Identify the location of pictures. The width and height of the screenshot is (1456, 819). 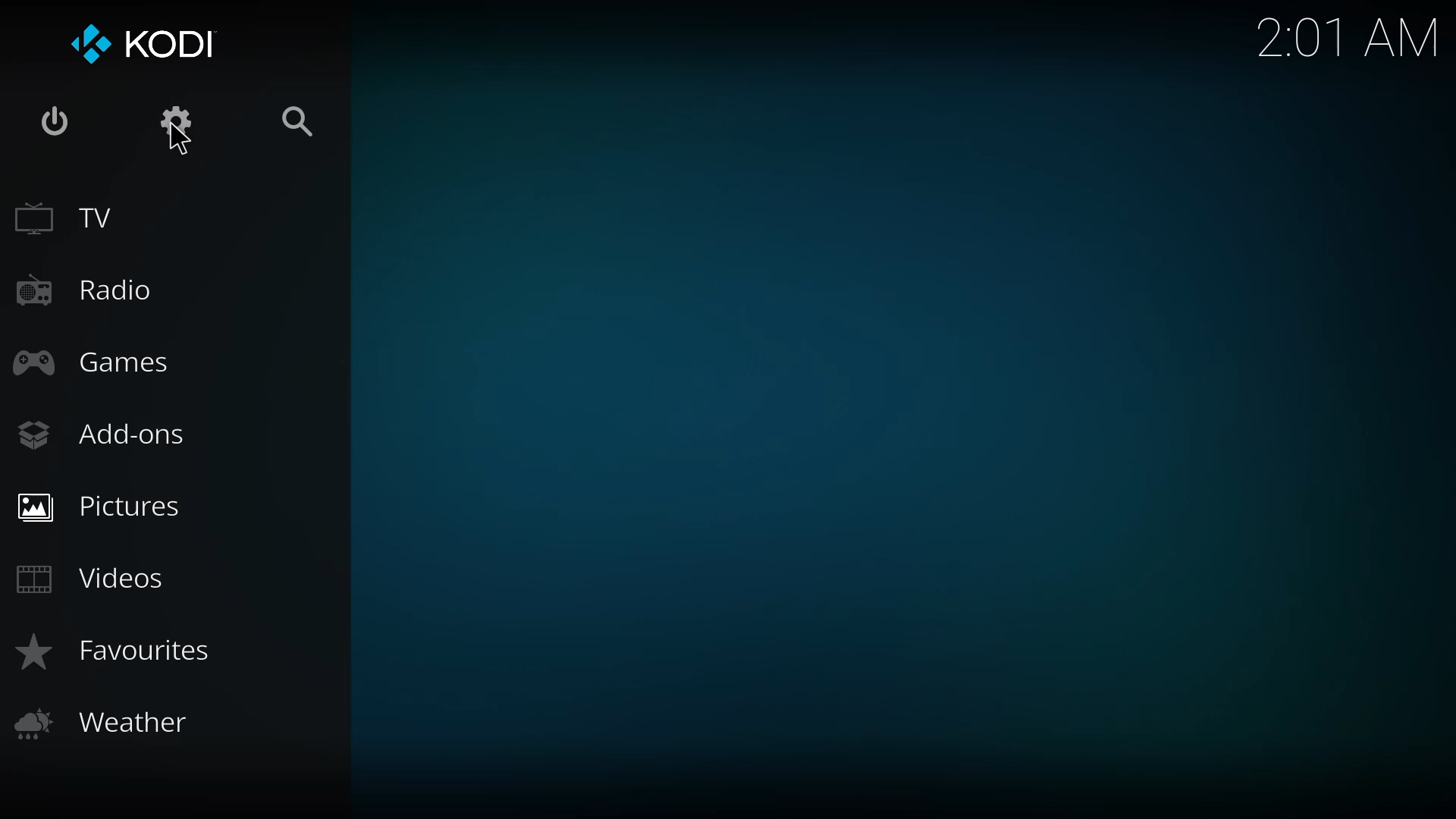
(99, 506).